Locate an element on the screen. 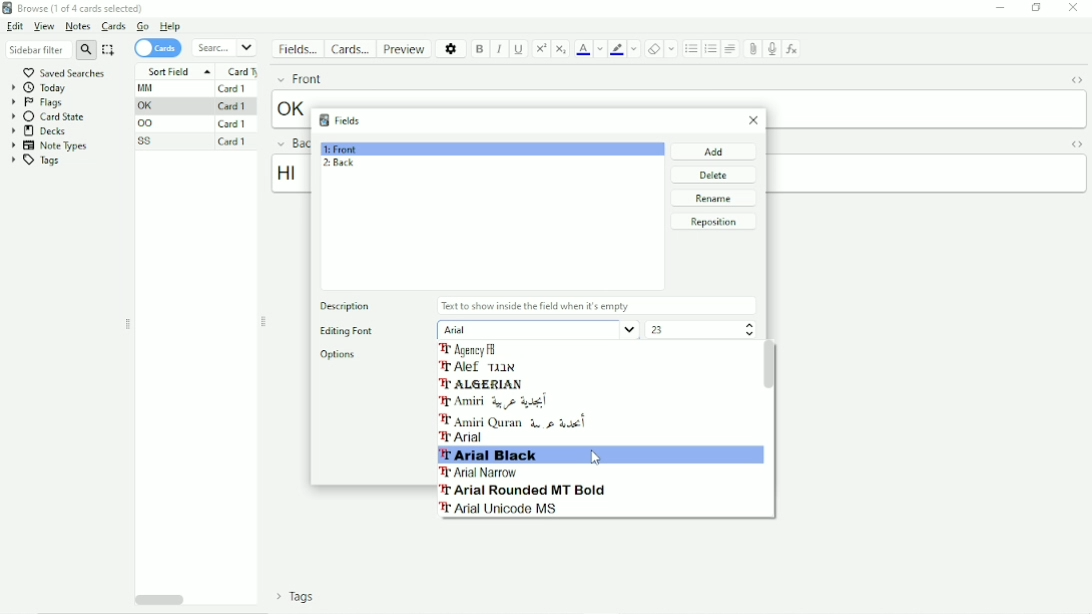 Image resolution: width=1092 pixels, height=614 pixels. Notes is located at coordinates (77, 26).